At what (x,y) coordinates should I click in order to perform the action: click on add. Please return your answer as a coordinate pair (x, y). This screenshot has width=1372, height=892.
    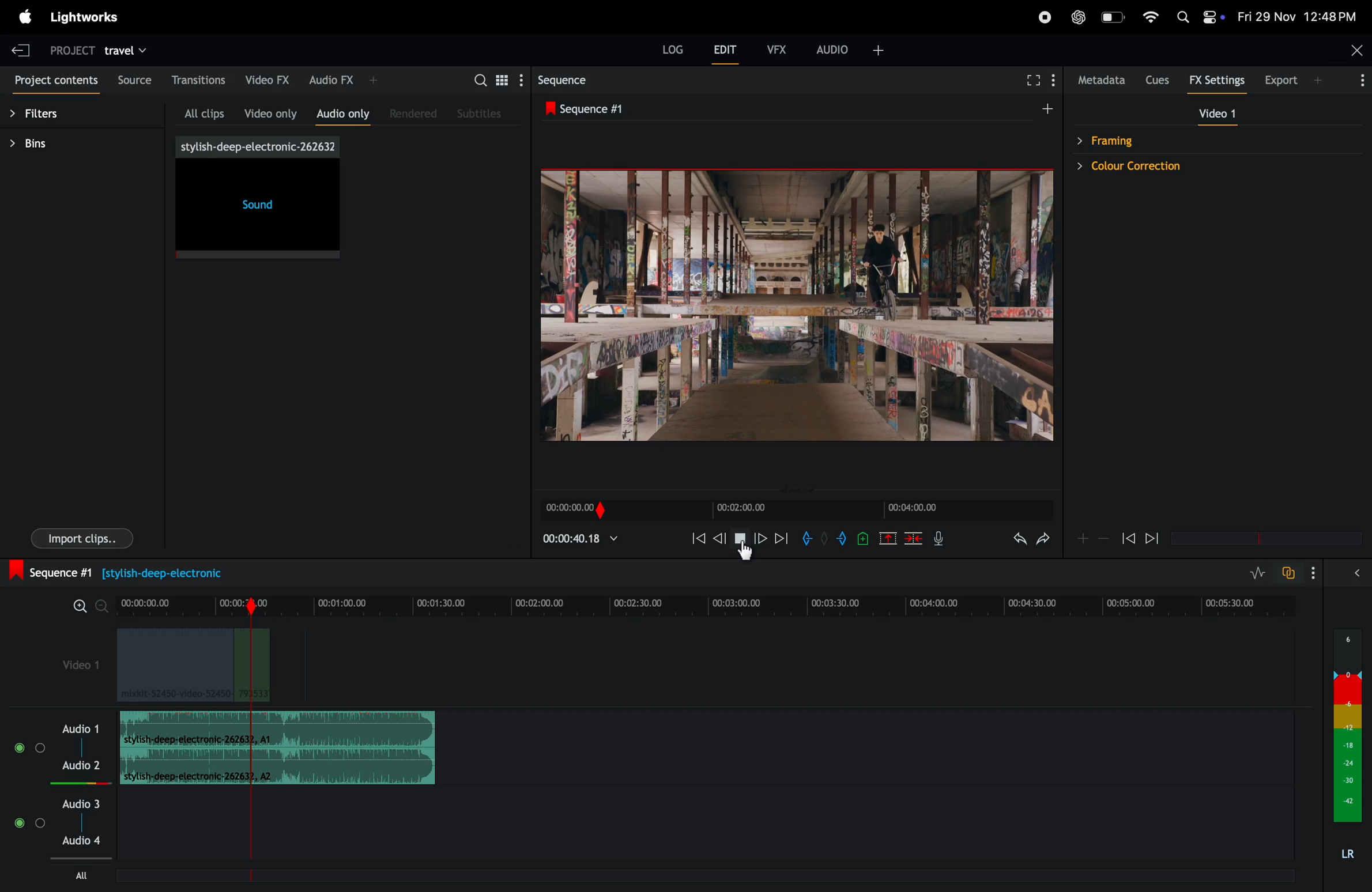
    Looking at the image, I should click on (1039, 109).